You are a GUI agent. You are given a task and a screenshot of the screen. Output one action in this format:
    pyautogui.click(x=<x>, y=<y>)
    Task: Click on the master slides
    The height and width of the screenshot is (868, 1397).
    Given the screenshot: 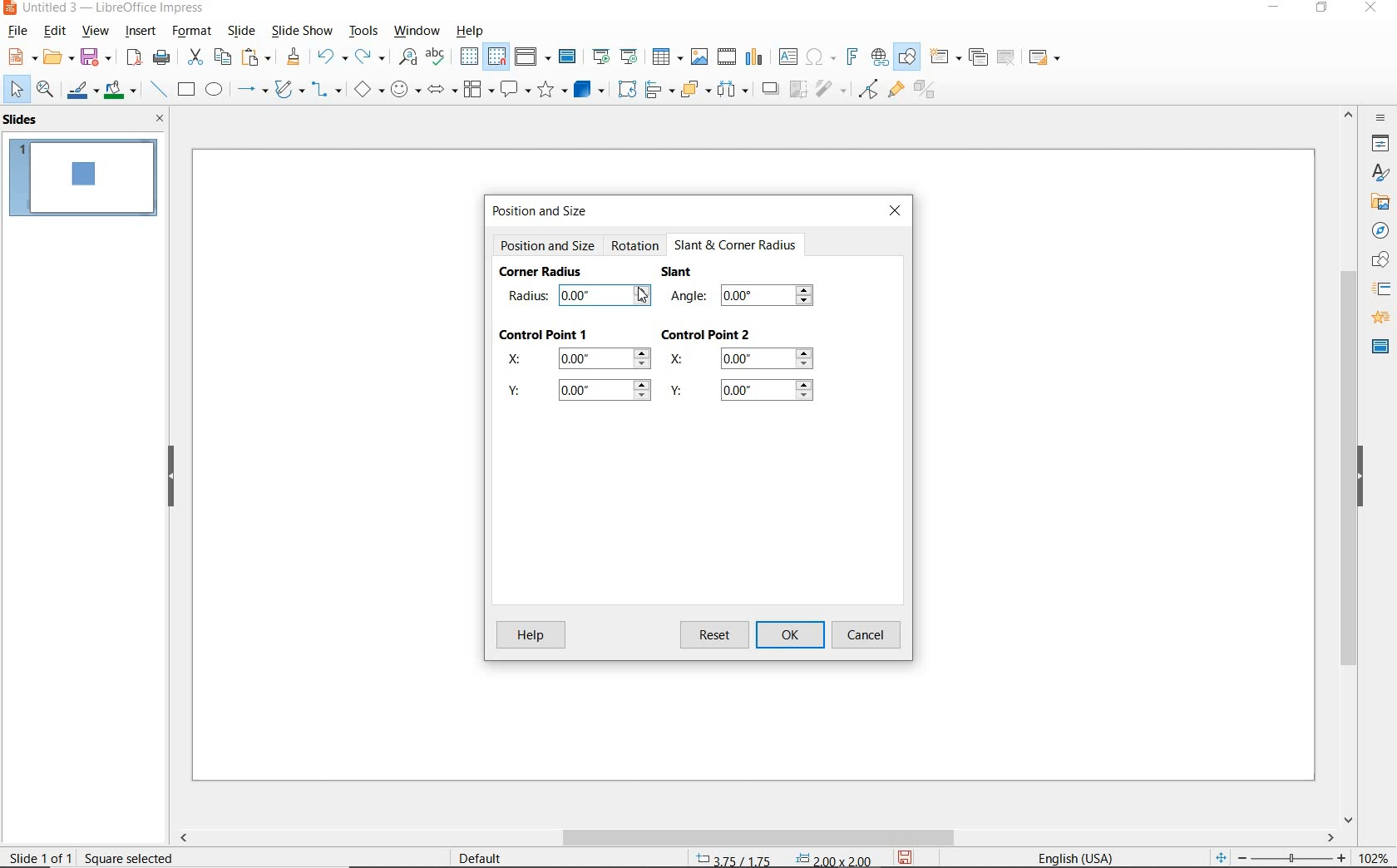 What is the action you would take?
    pyautogui.click(x=1375, y=348)
    